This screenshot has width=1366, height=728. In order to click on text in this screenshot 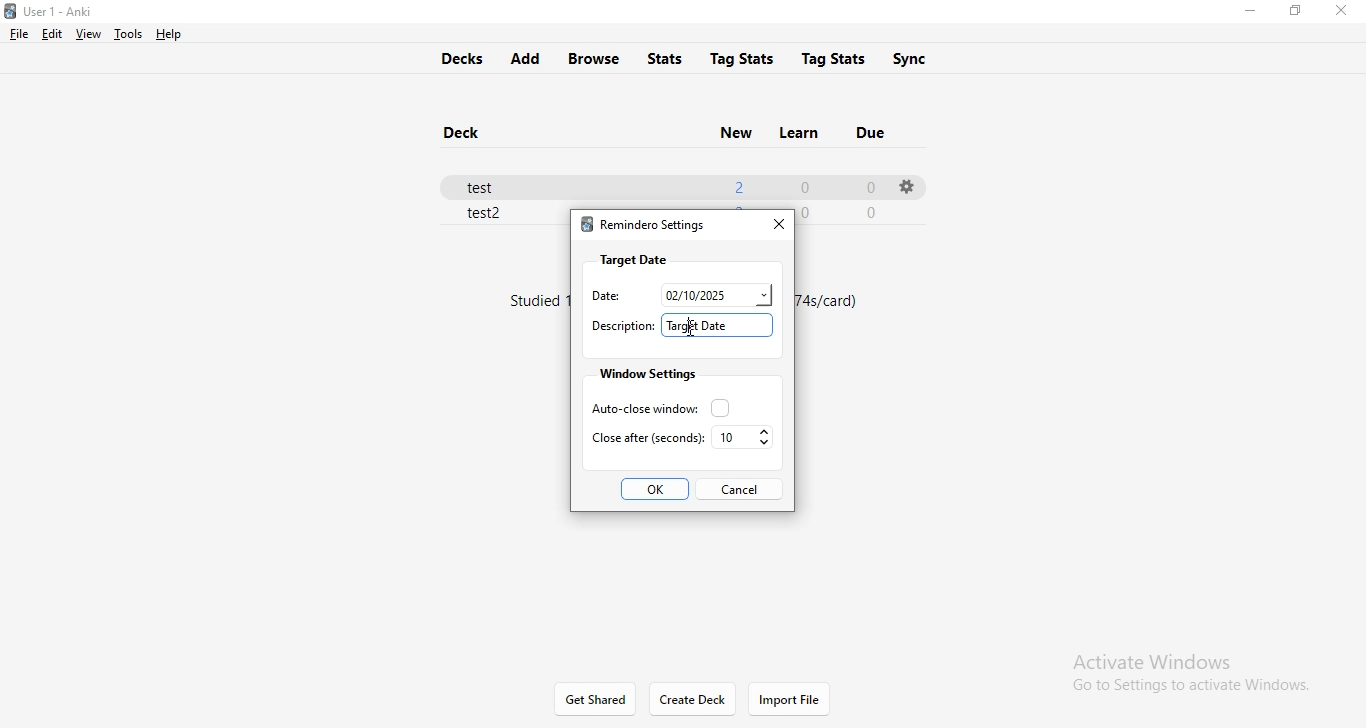, I will do `click(539, 301)`.